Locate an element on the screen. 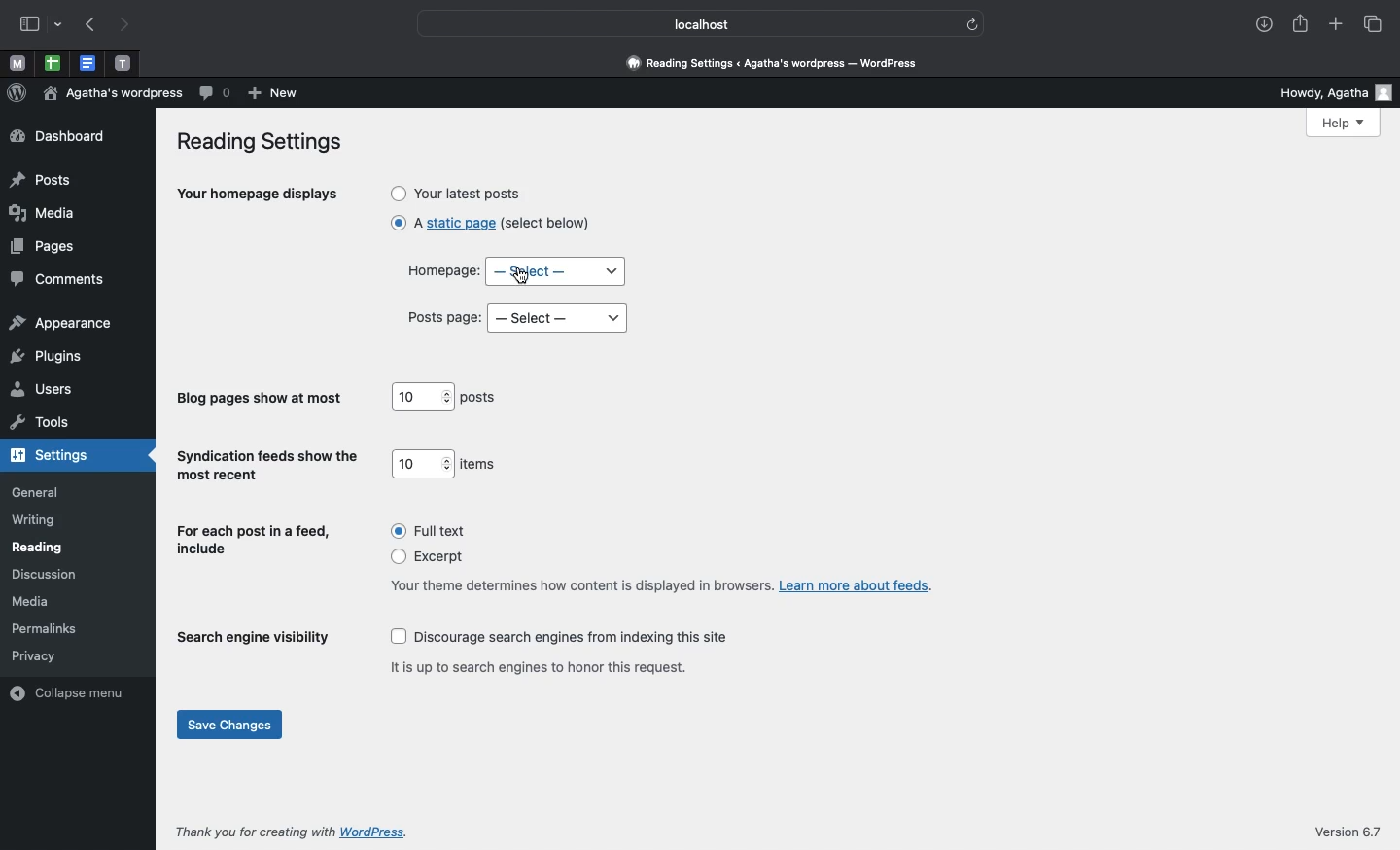  Homepage is located at coordinates (439, 269).